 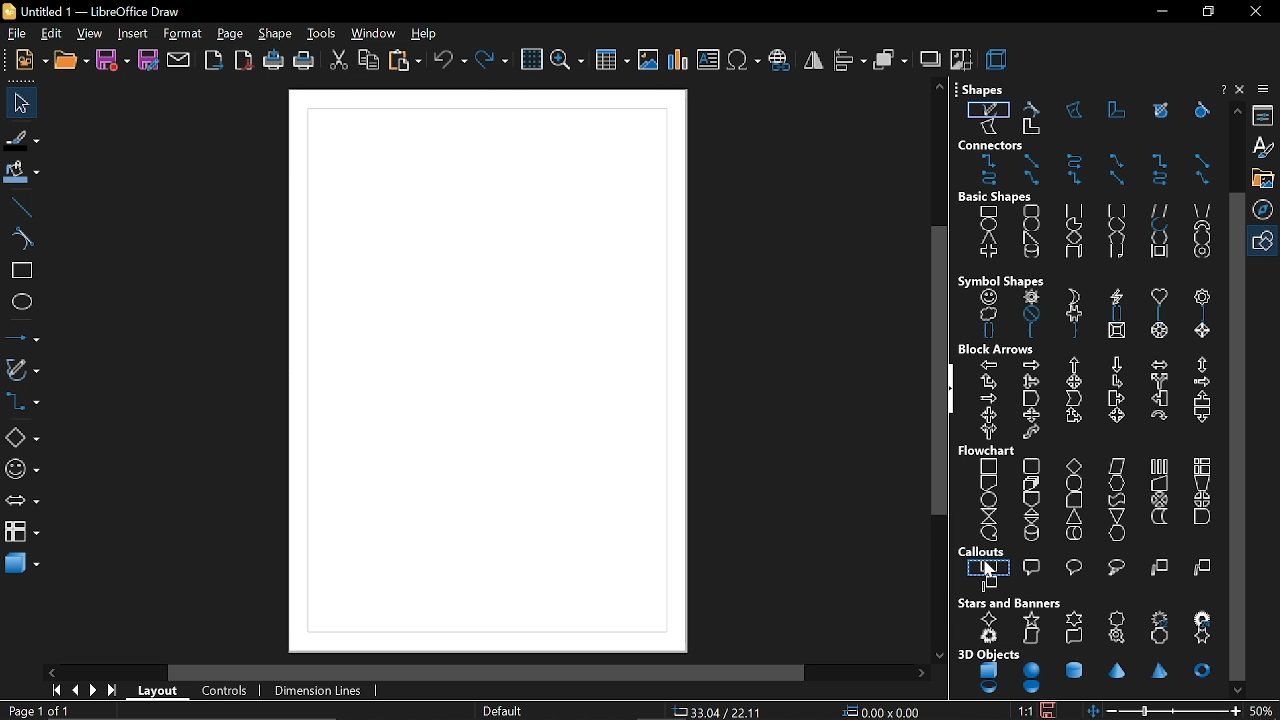 I want to click on sort, so click(x=1030, y=516).